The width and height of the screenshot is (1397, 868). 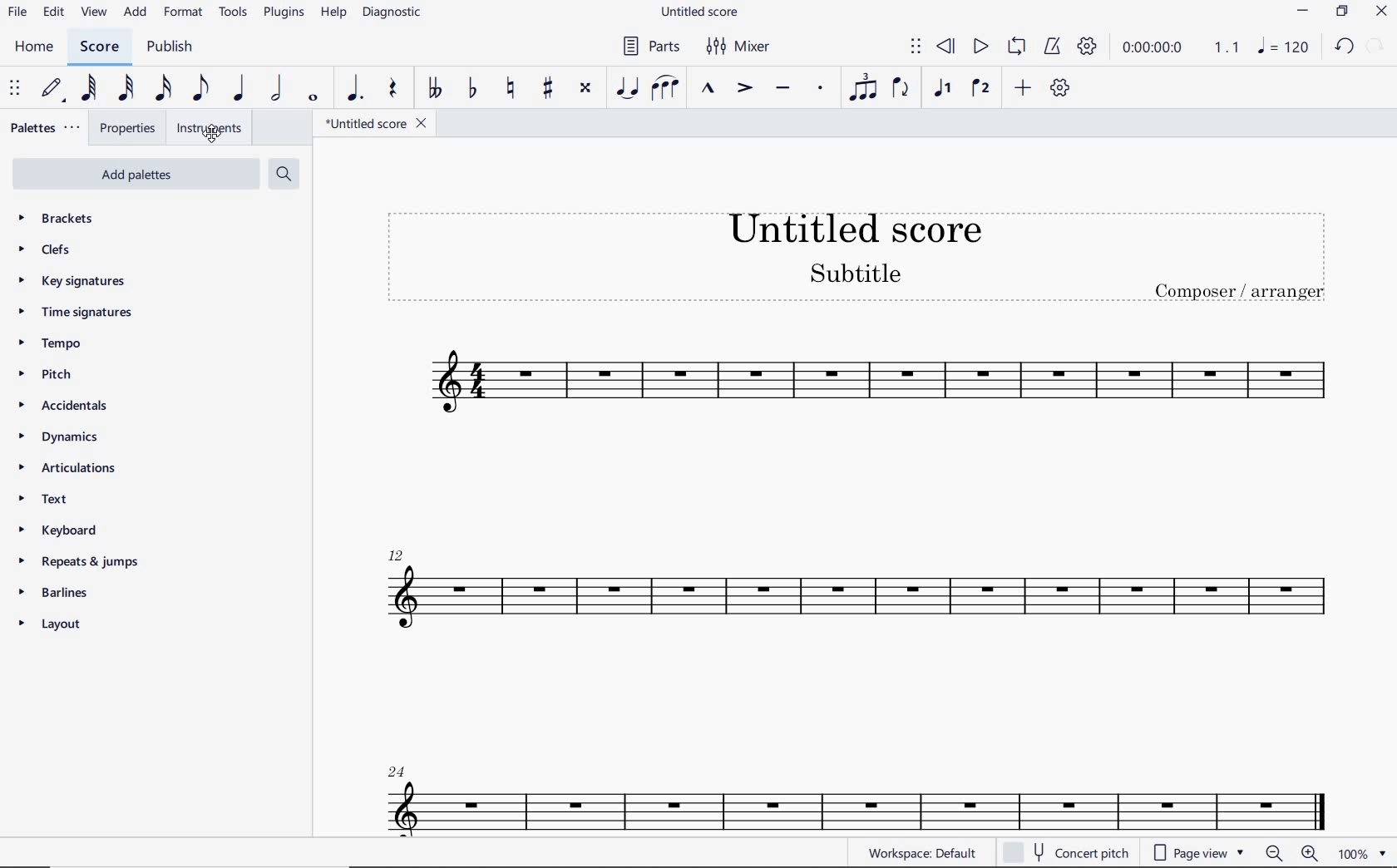 What do you see at coordinates (743, 89) in the screenshot?
I see `ACCENT` at bounding box center [743, 89].